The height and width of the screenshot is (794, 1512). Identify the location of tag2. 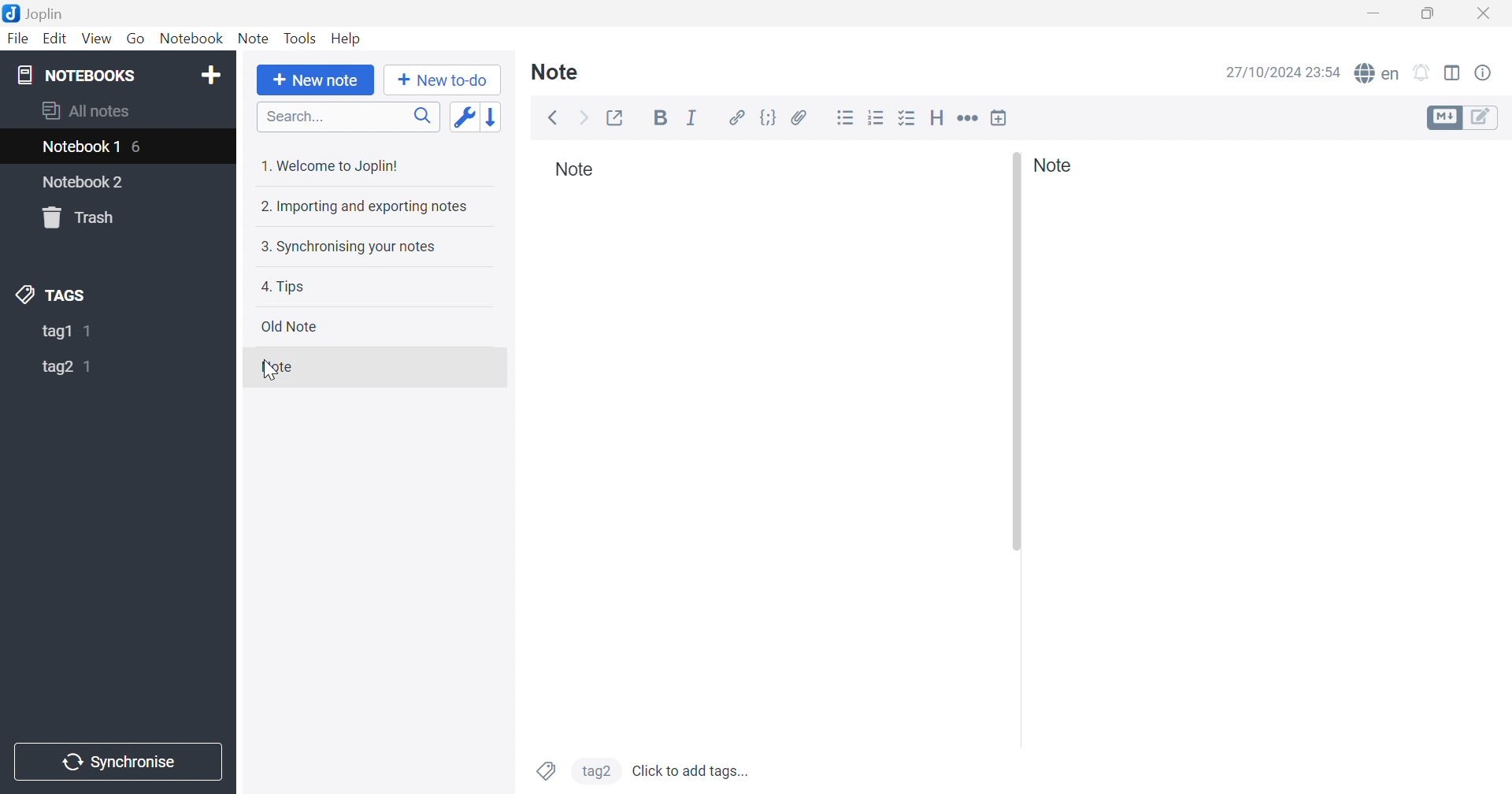
(58, 367).